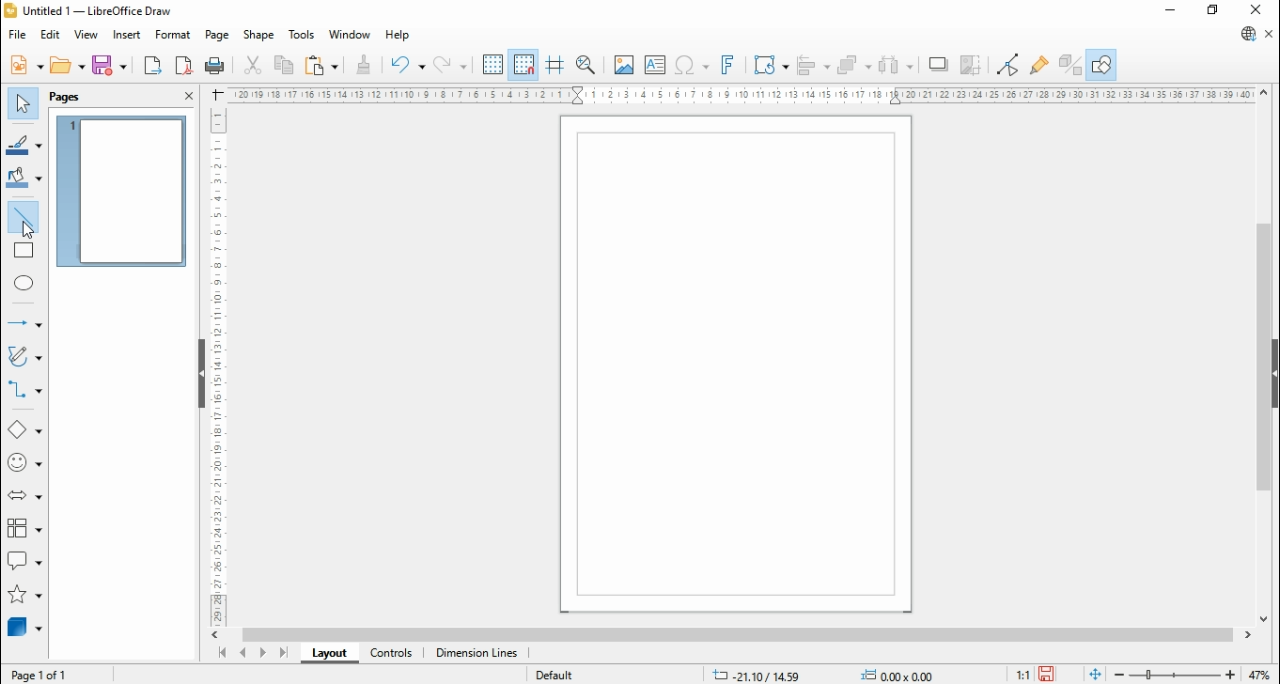  What do you see at coordinates (254, 66) in the screenshot?
I see `cut` at bounding box center [254, 66].